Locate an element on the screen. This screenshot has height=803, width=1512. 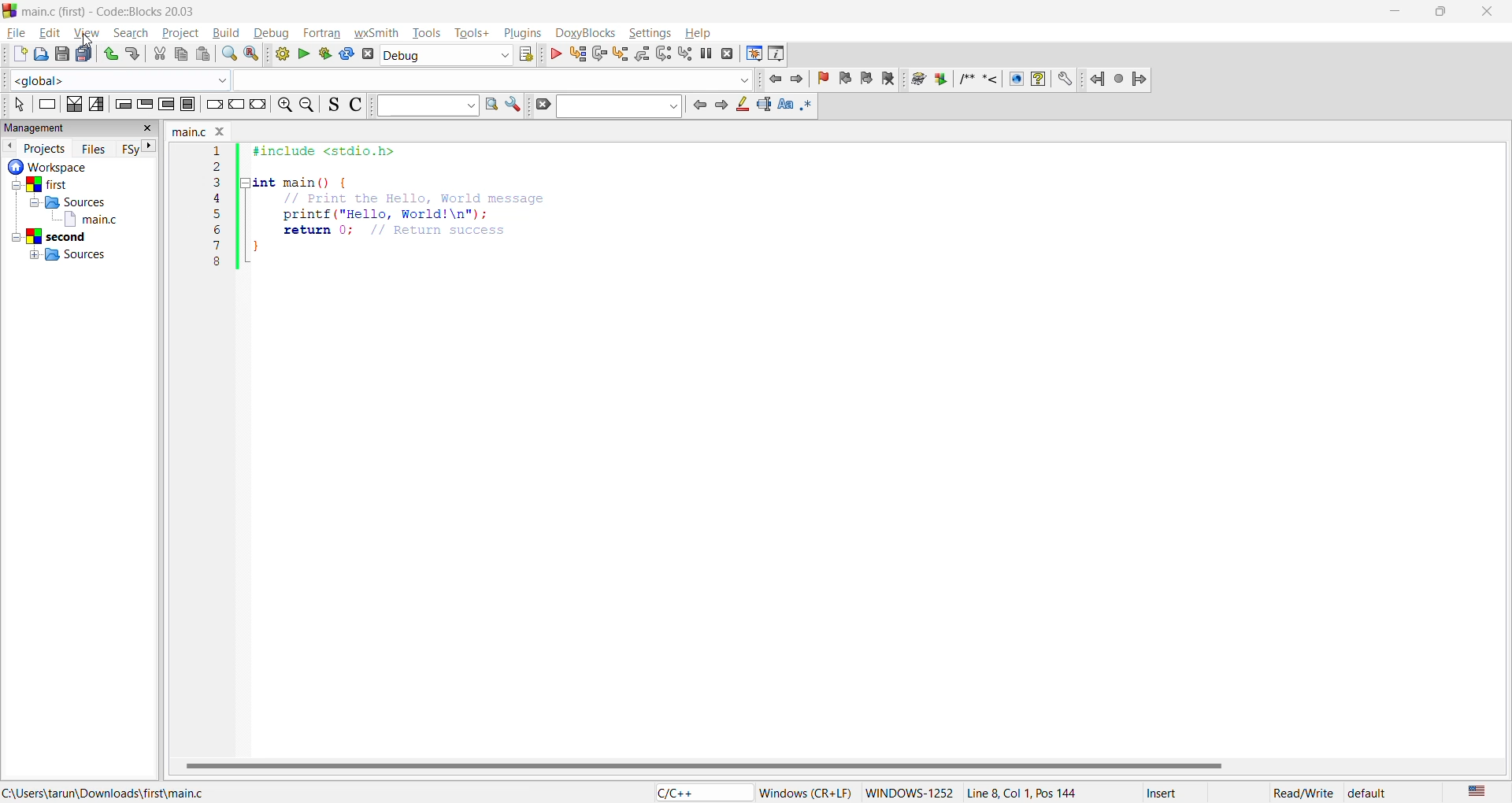
save all is located at coordinates (84, 54).